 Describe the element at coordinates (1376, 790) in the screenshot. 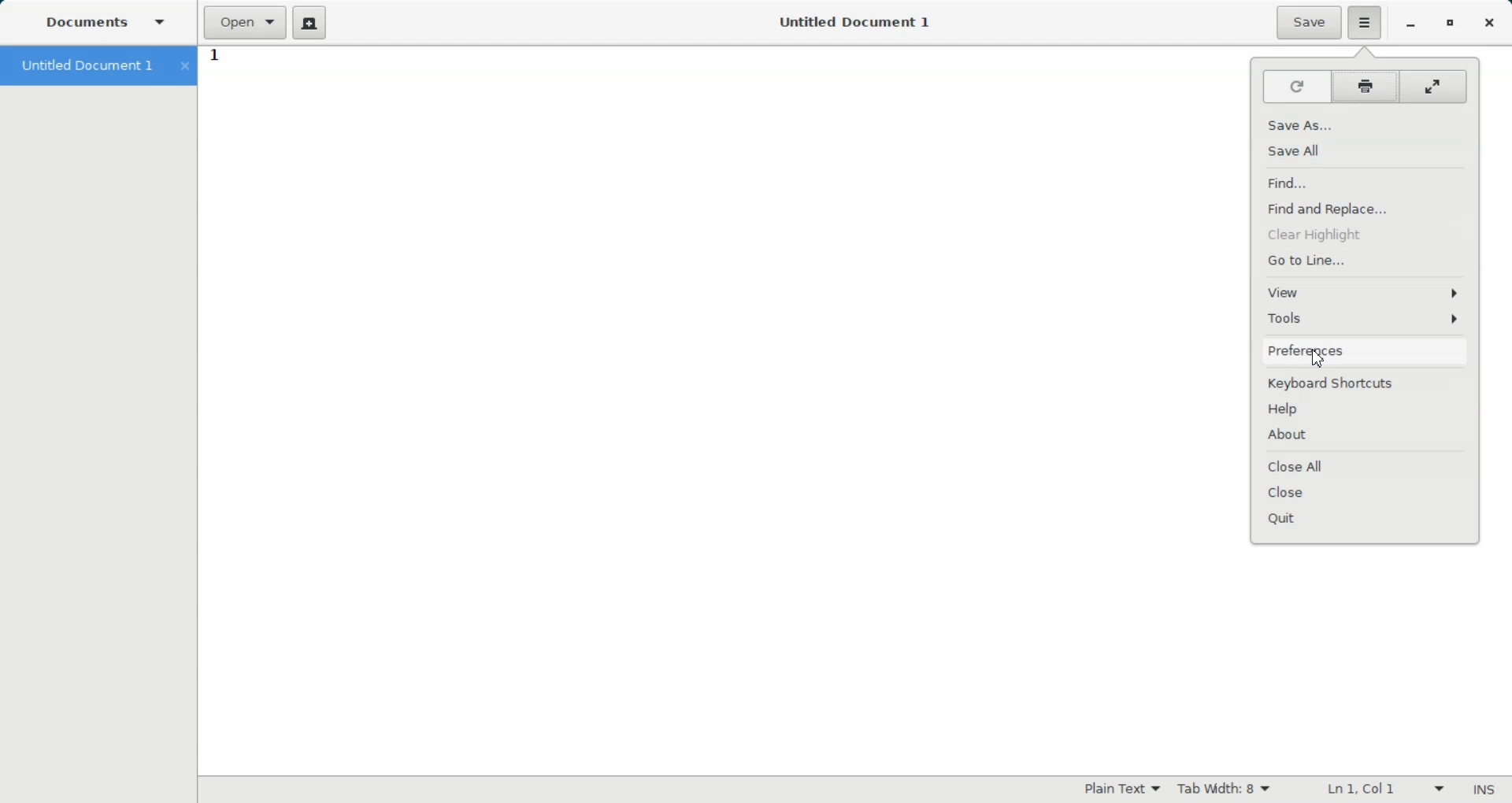

I see `Line Column` at that location.